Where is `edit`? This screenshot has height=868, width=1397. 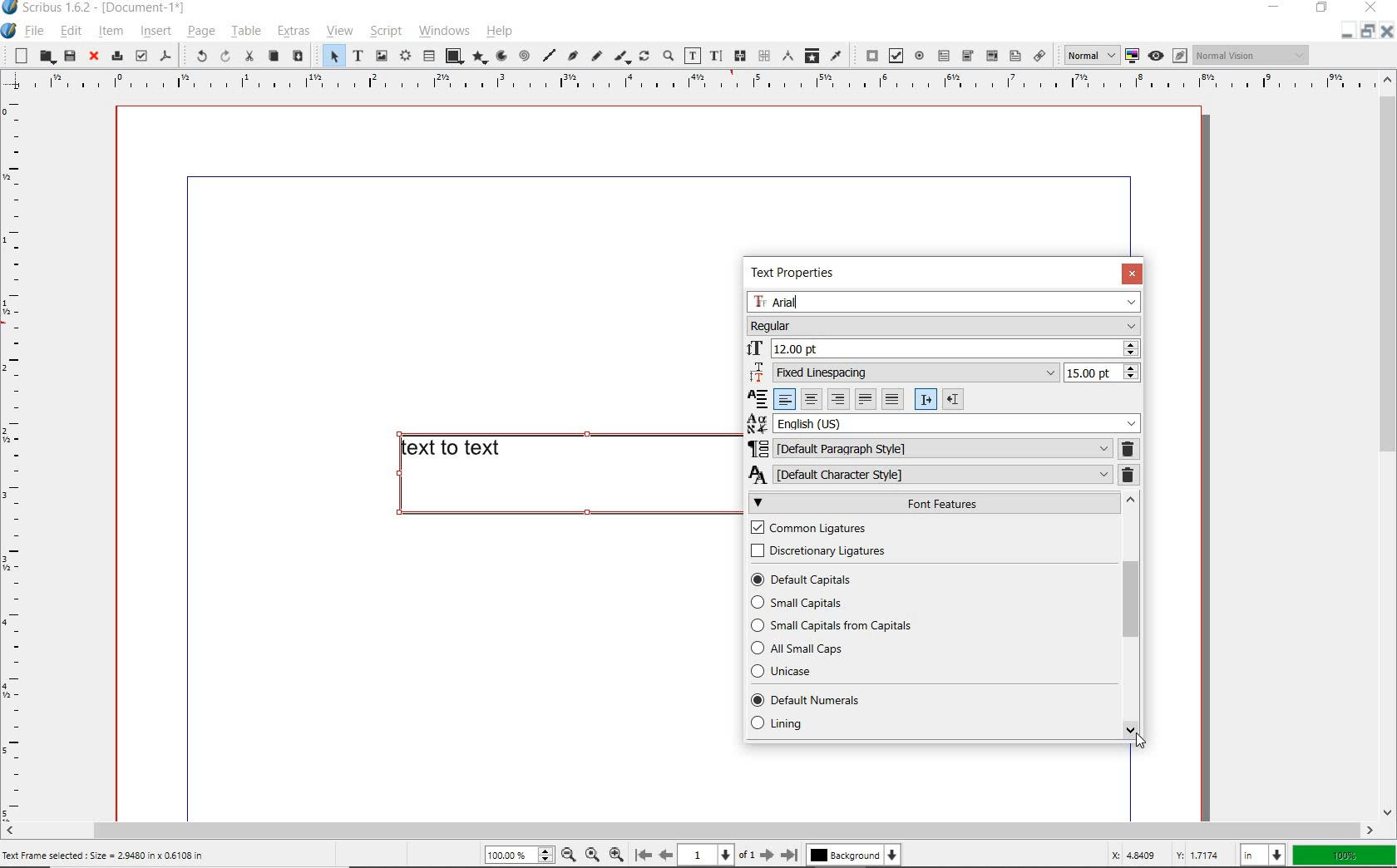
edit is located at coordinates (71, 31).